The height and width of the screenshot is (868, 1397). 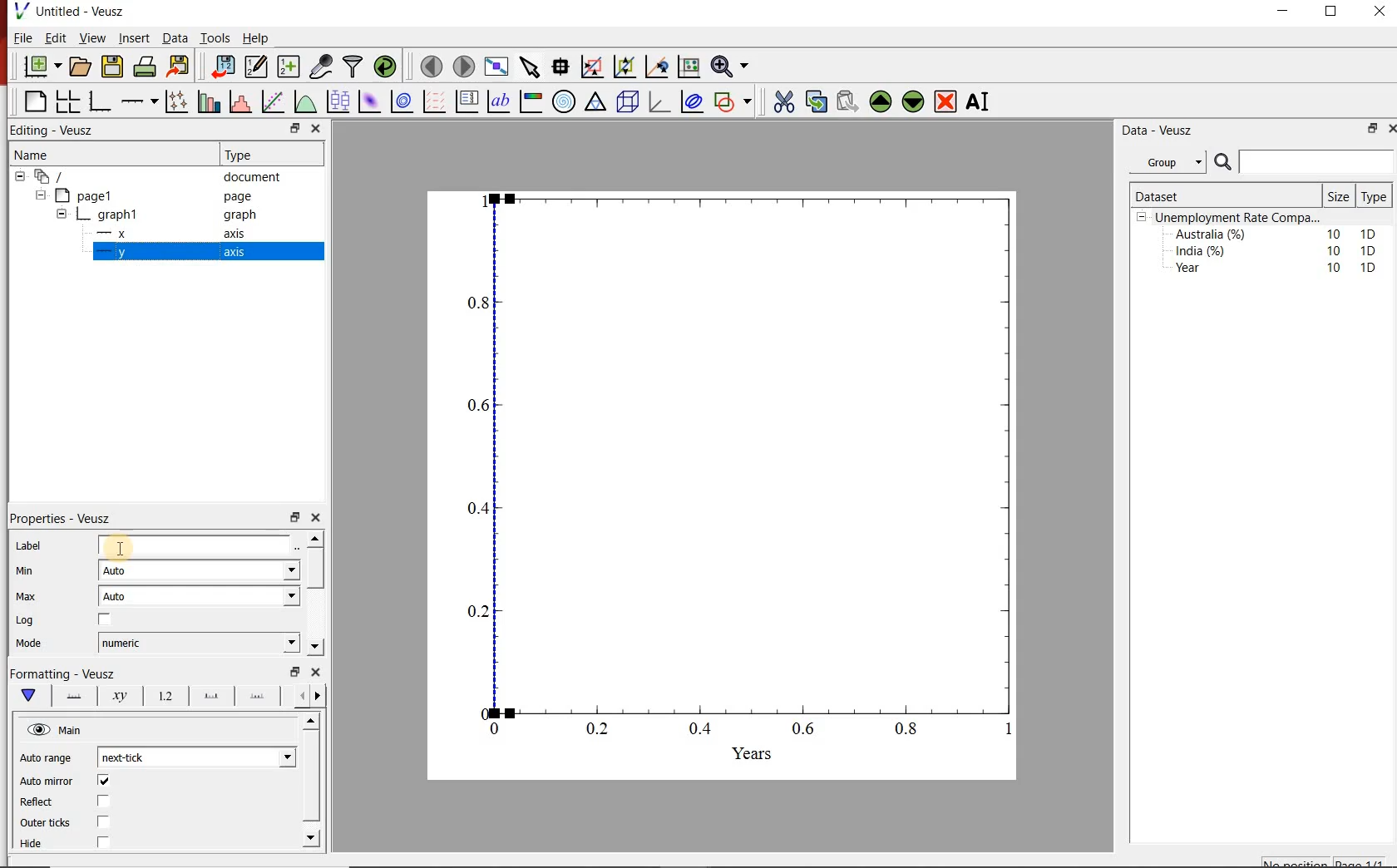 What do you see at coordinates (225, 65) in the screenshot?
I see `import document` at bounding box center [225, 65].